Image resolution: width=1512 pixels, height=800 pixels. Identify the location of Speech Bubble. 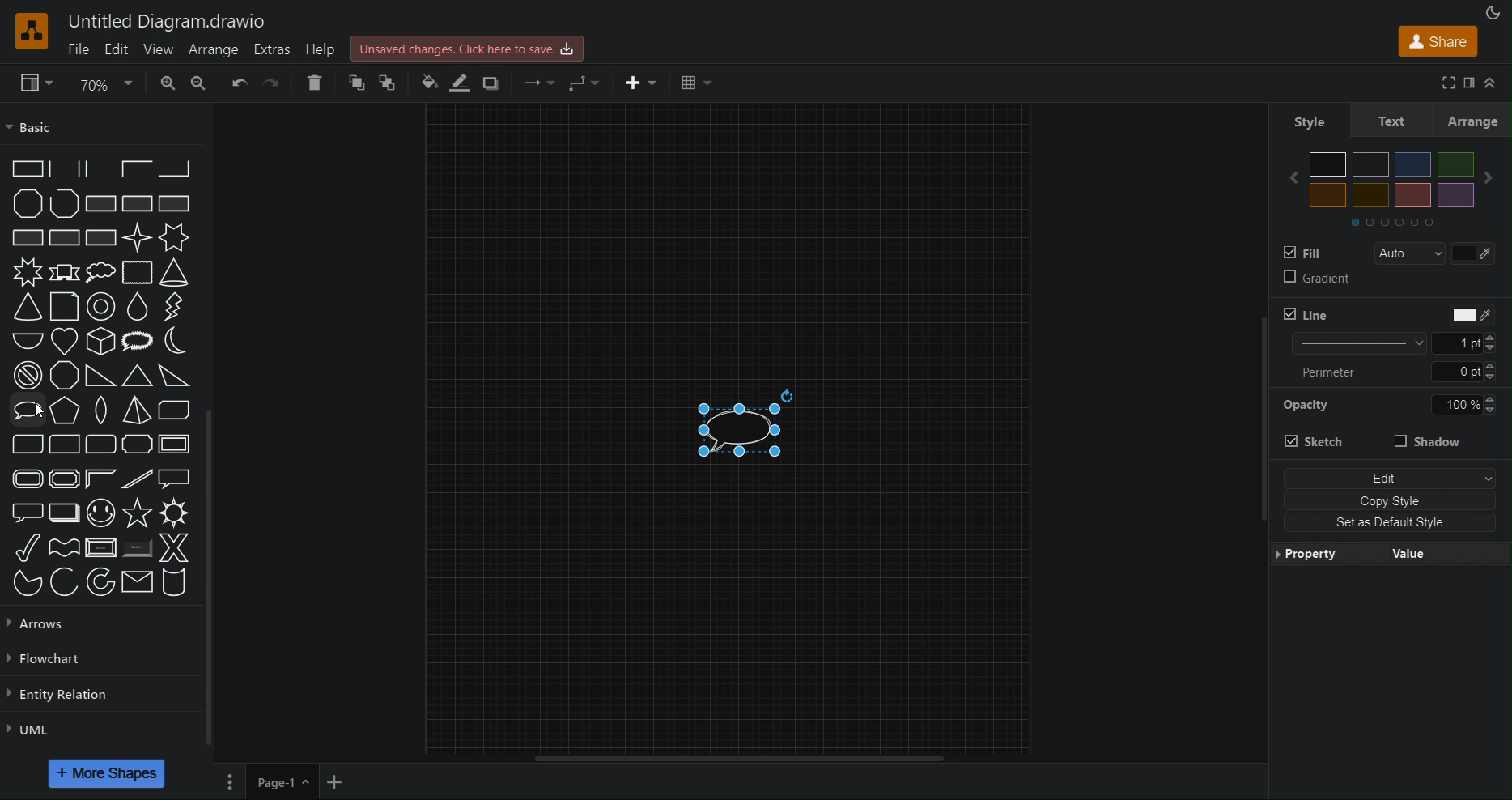
(747, 425).